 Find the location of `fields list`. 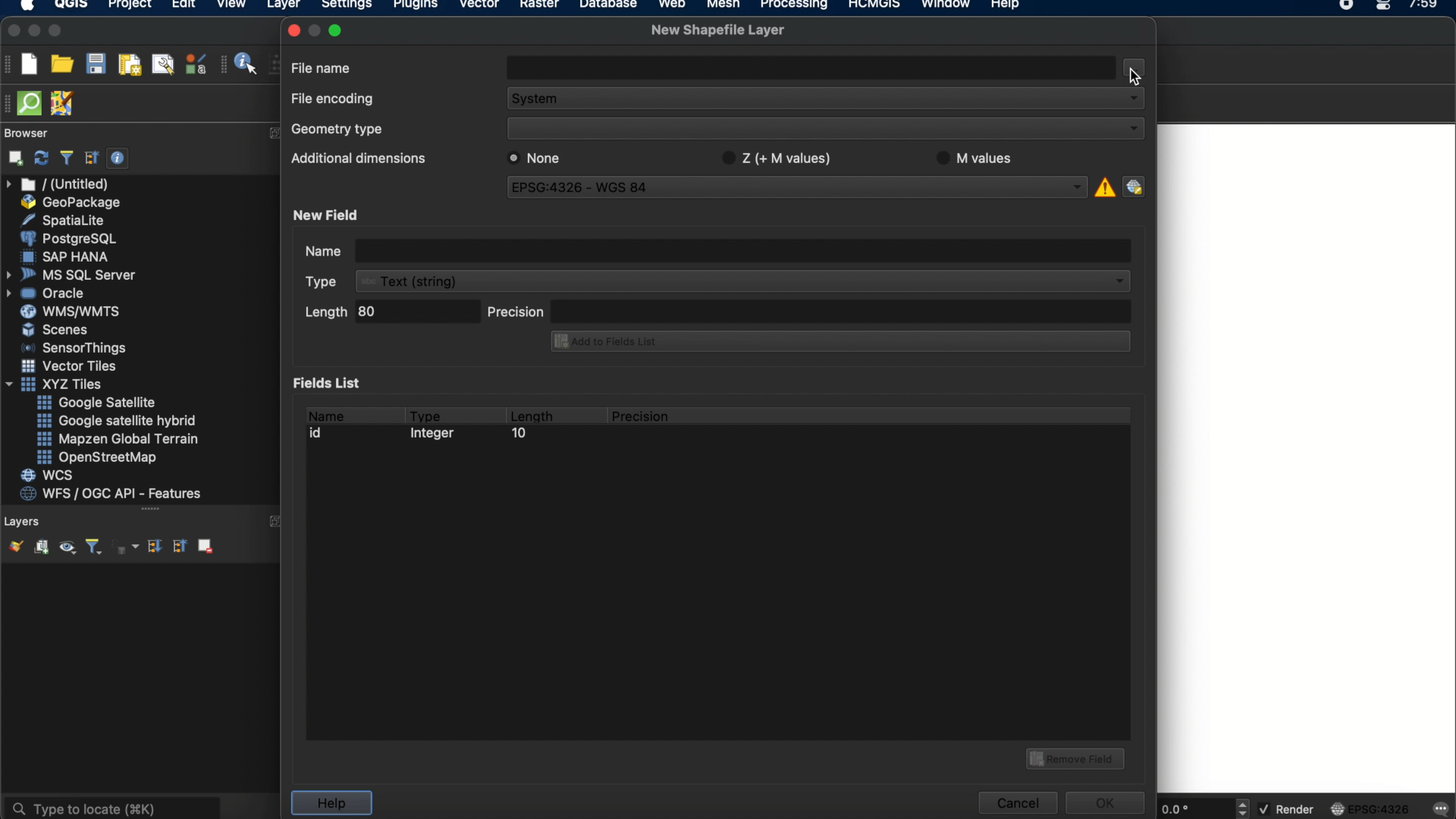

fields list is located at coordinates (331, 382).